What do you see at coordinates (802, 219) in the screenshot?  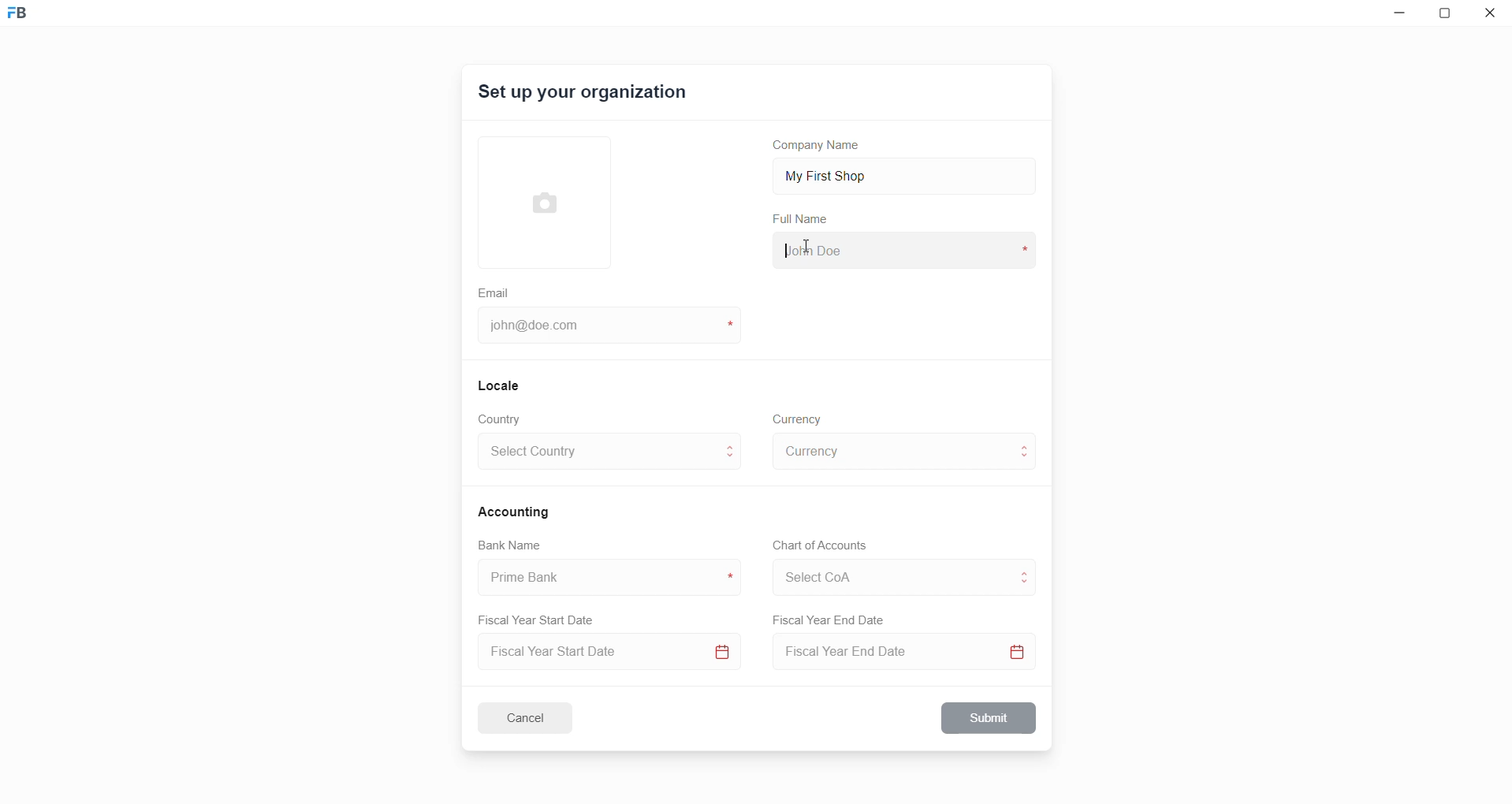 I see `Full Name` at bounding box center [802, 219].